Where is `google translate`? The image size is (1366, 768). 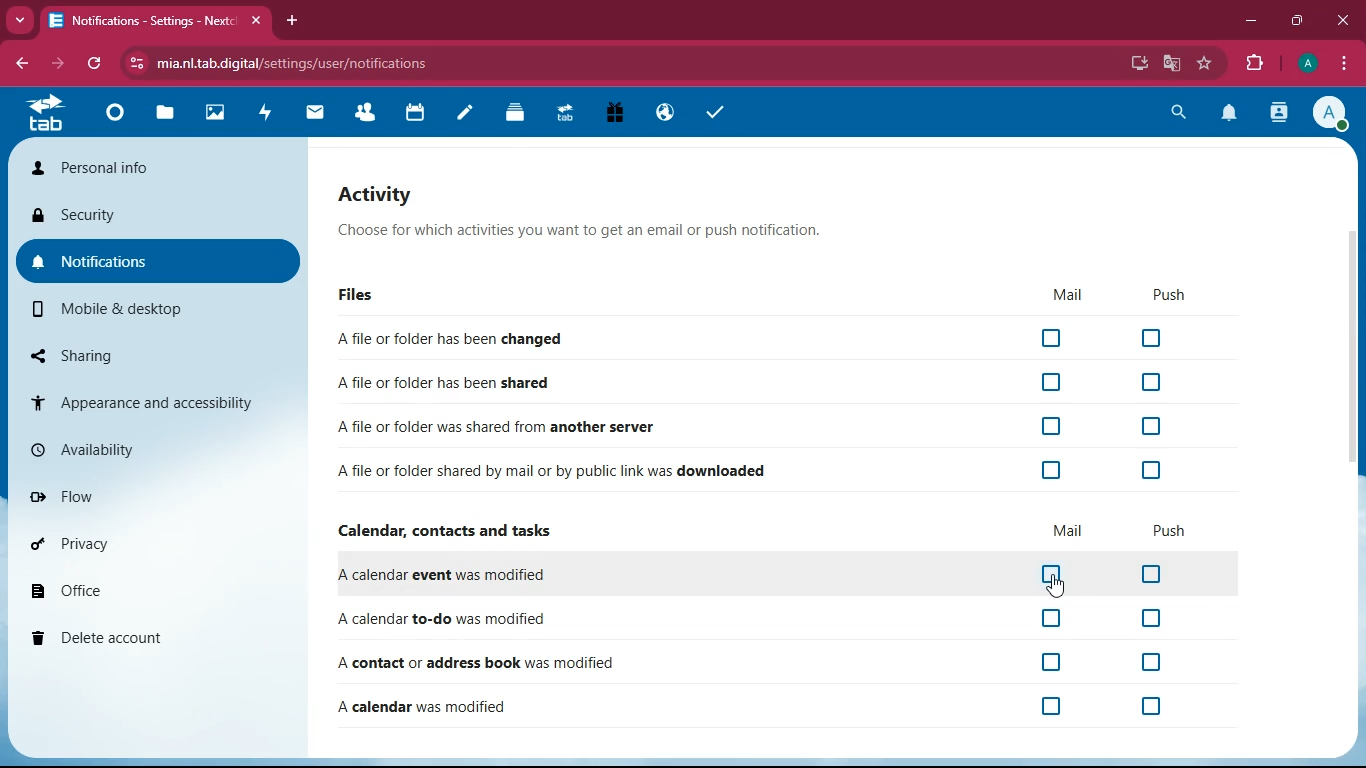
google translate is located at coordinates (1174, 61).